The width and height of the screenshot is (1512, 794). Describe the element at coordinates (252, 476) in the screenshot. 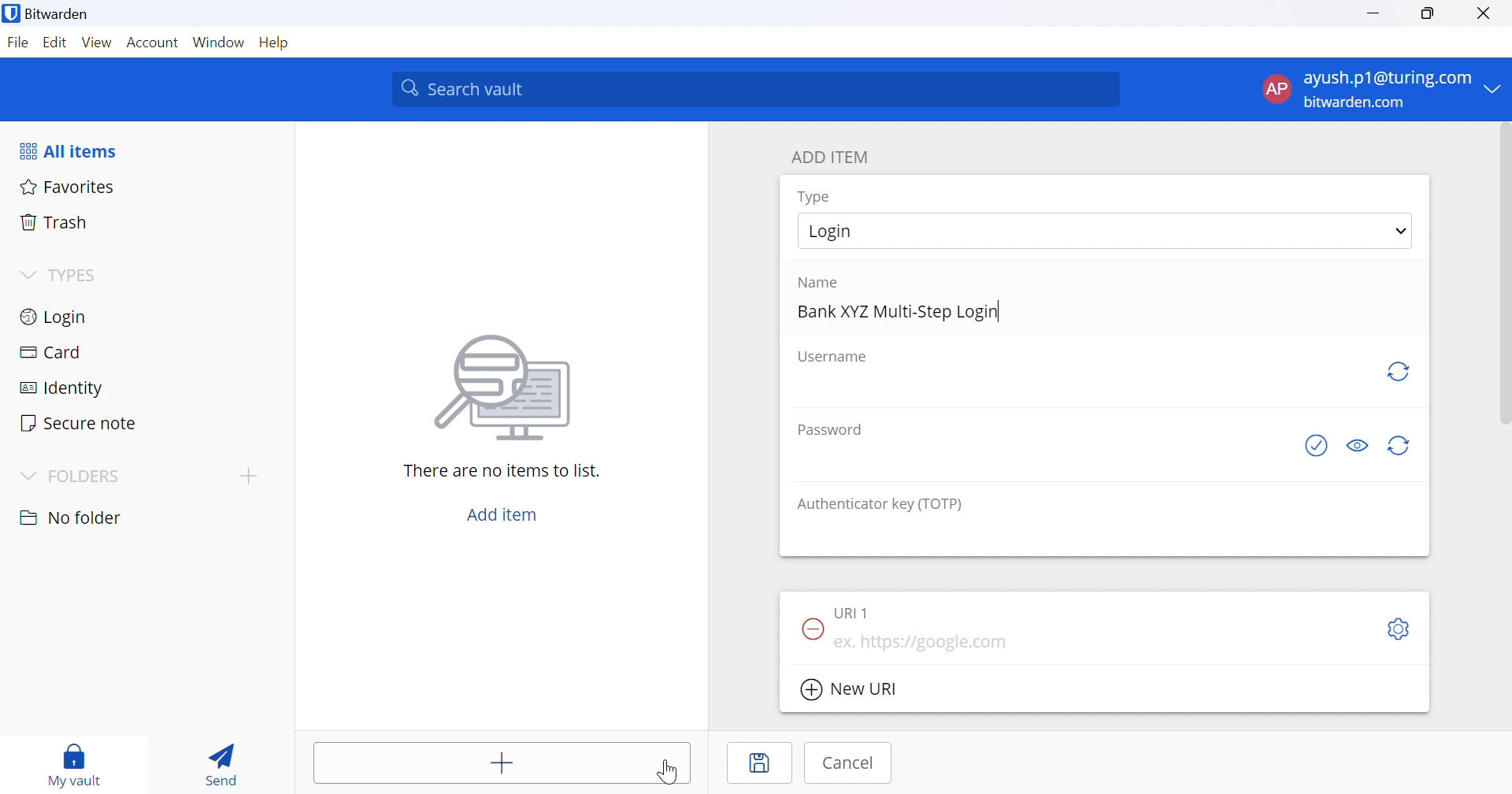

I see `add folder` at that location.